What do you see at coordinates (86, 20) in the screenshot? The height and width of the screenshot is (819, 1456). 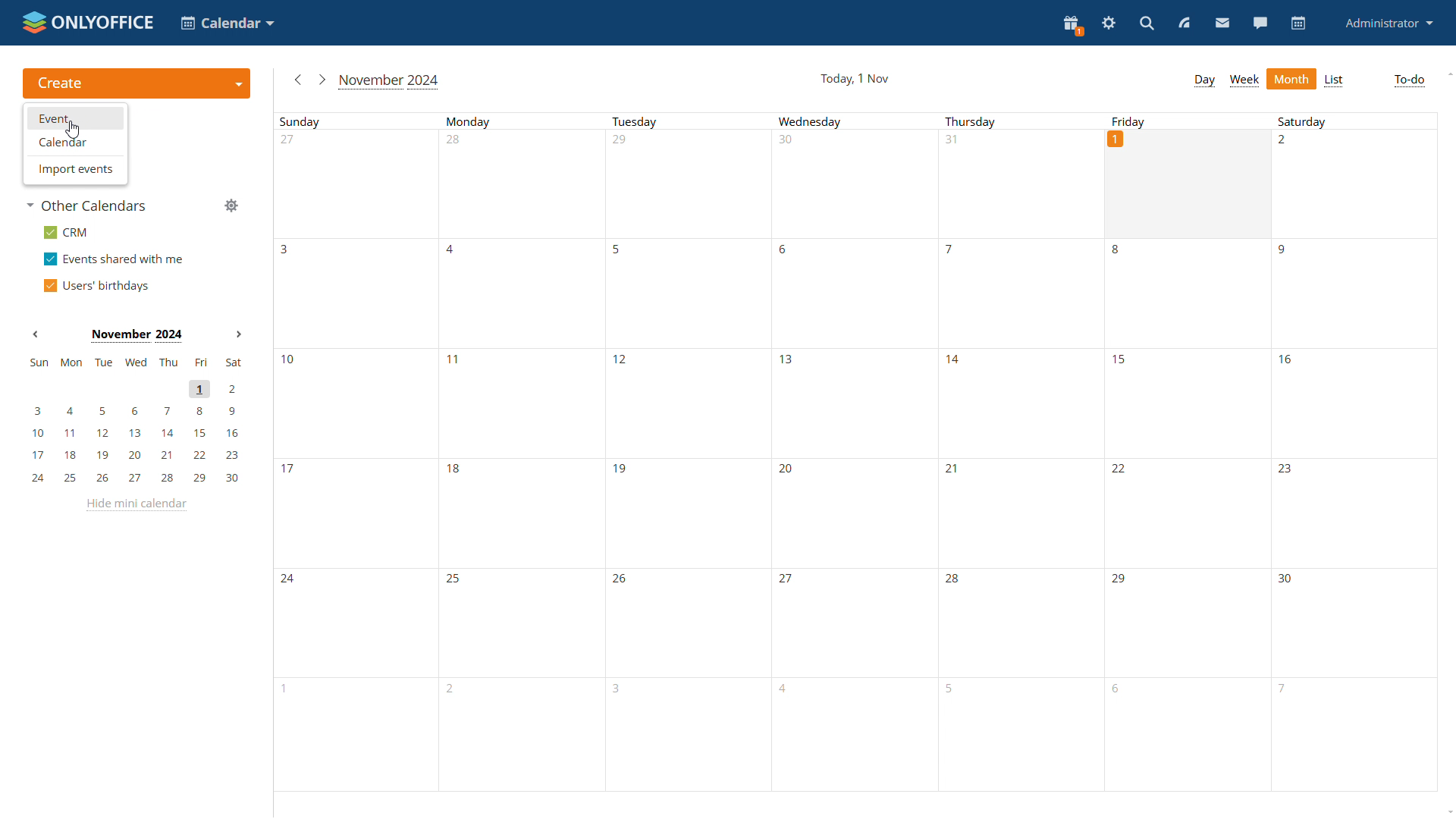 I see `logo` at bounding box center [86, 20].